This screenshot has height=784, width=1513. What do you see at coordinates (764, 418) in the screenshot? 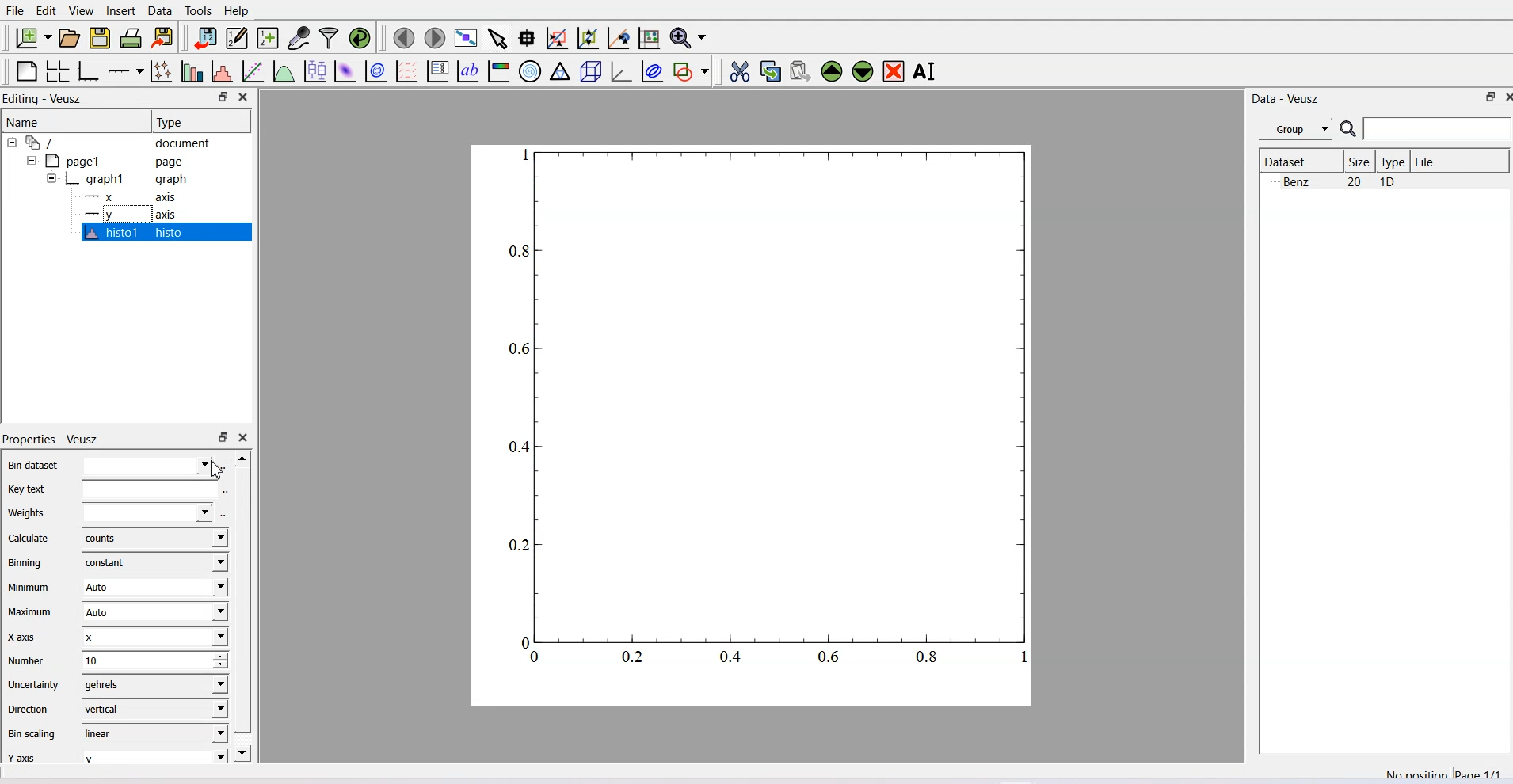
I see `Graph Window` at bounding box center [764, 418].